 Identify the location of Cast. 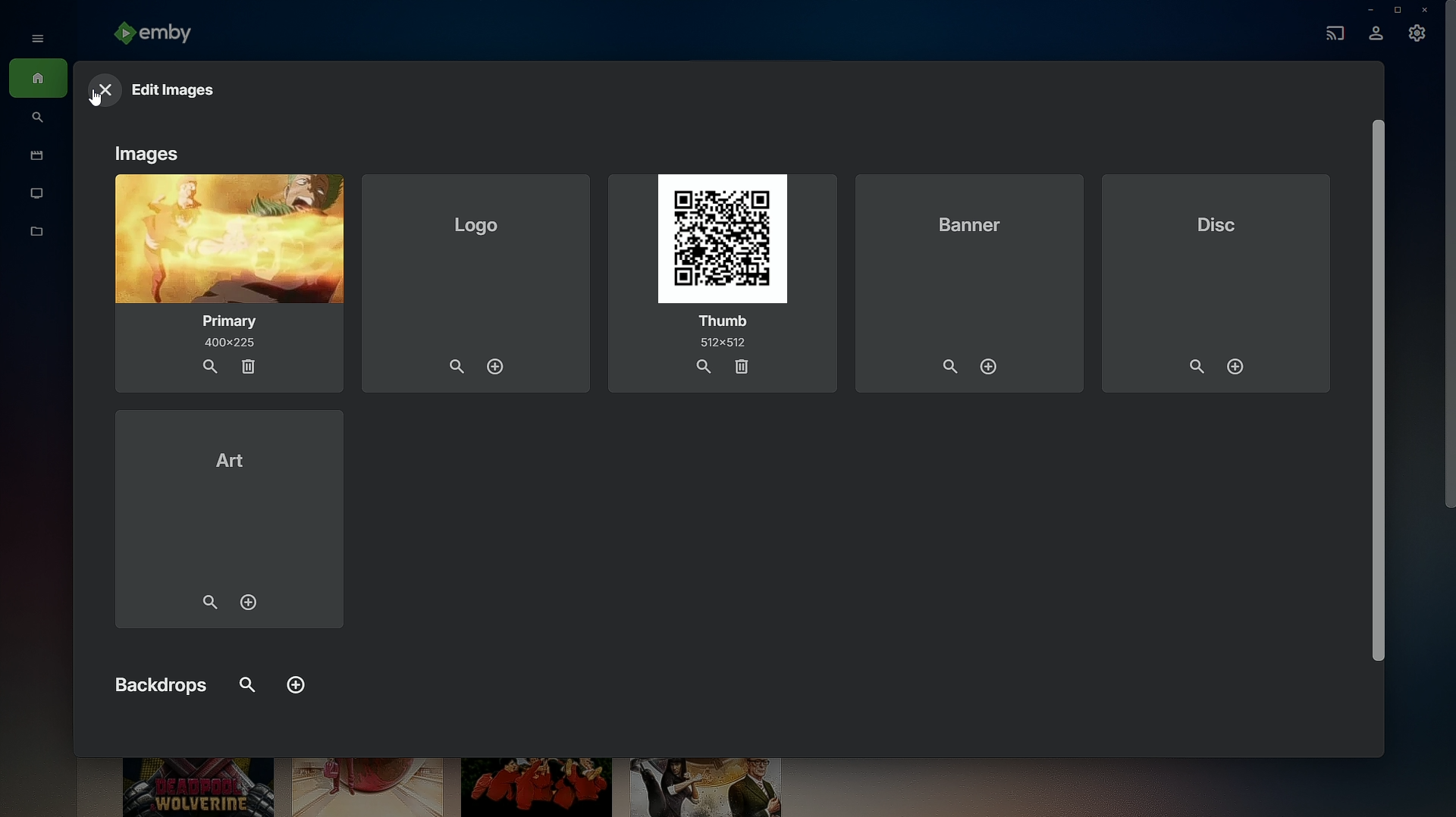
(1332, 31).